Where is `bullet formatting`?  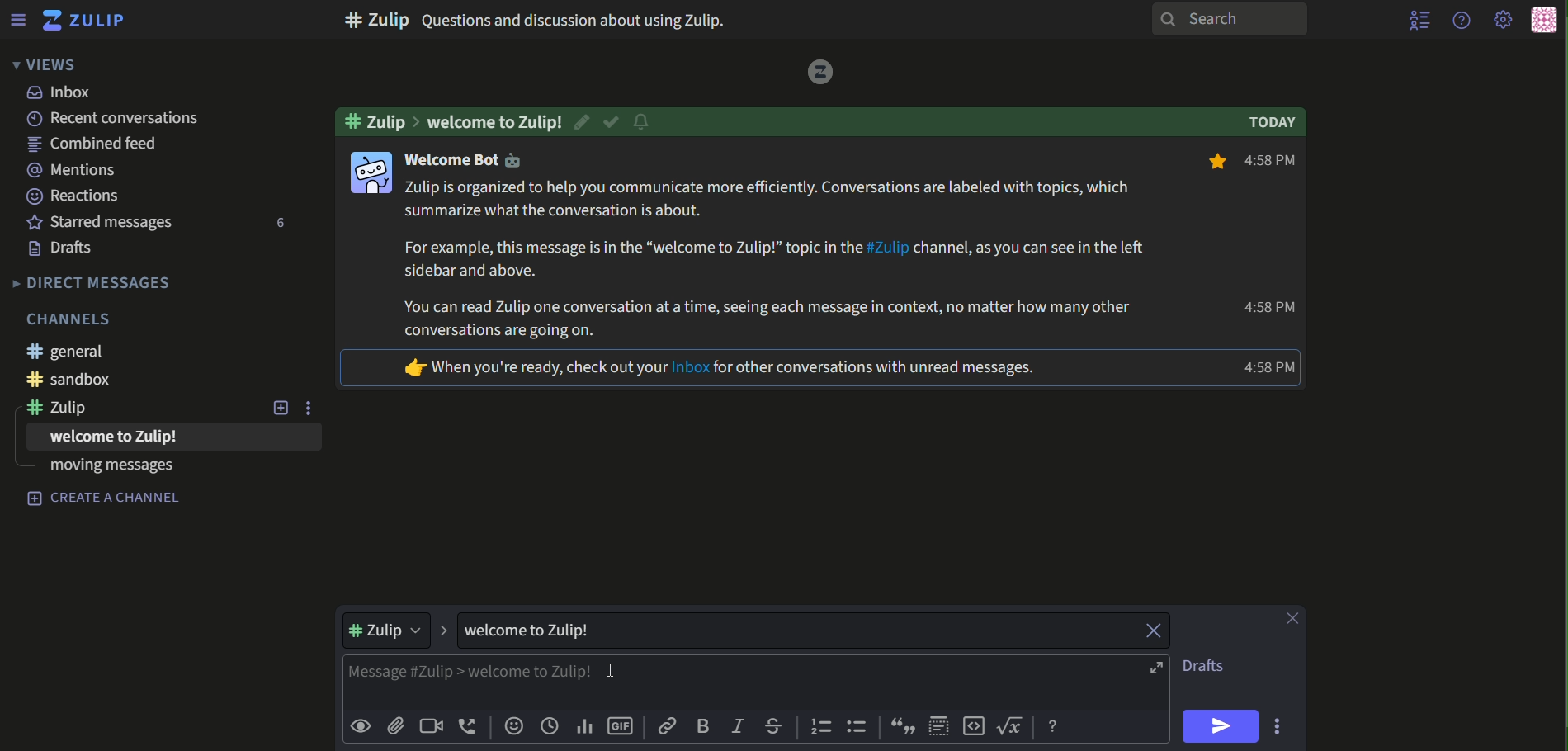
bullet formatting is located at coordinates (858, 728).